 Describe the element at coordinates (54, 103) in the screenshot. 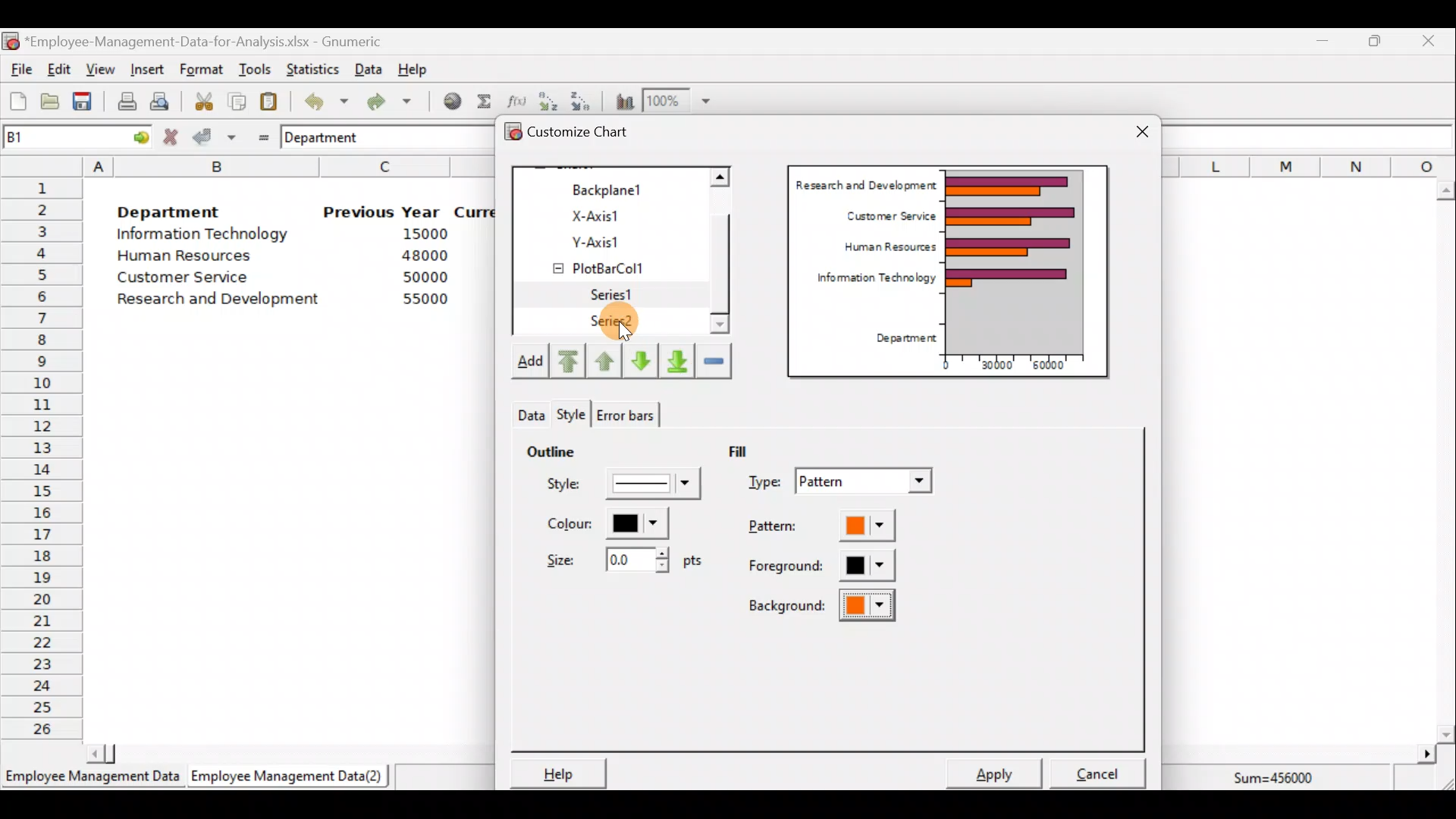

I see `Open a file` at that location.